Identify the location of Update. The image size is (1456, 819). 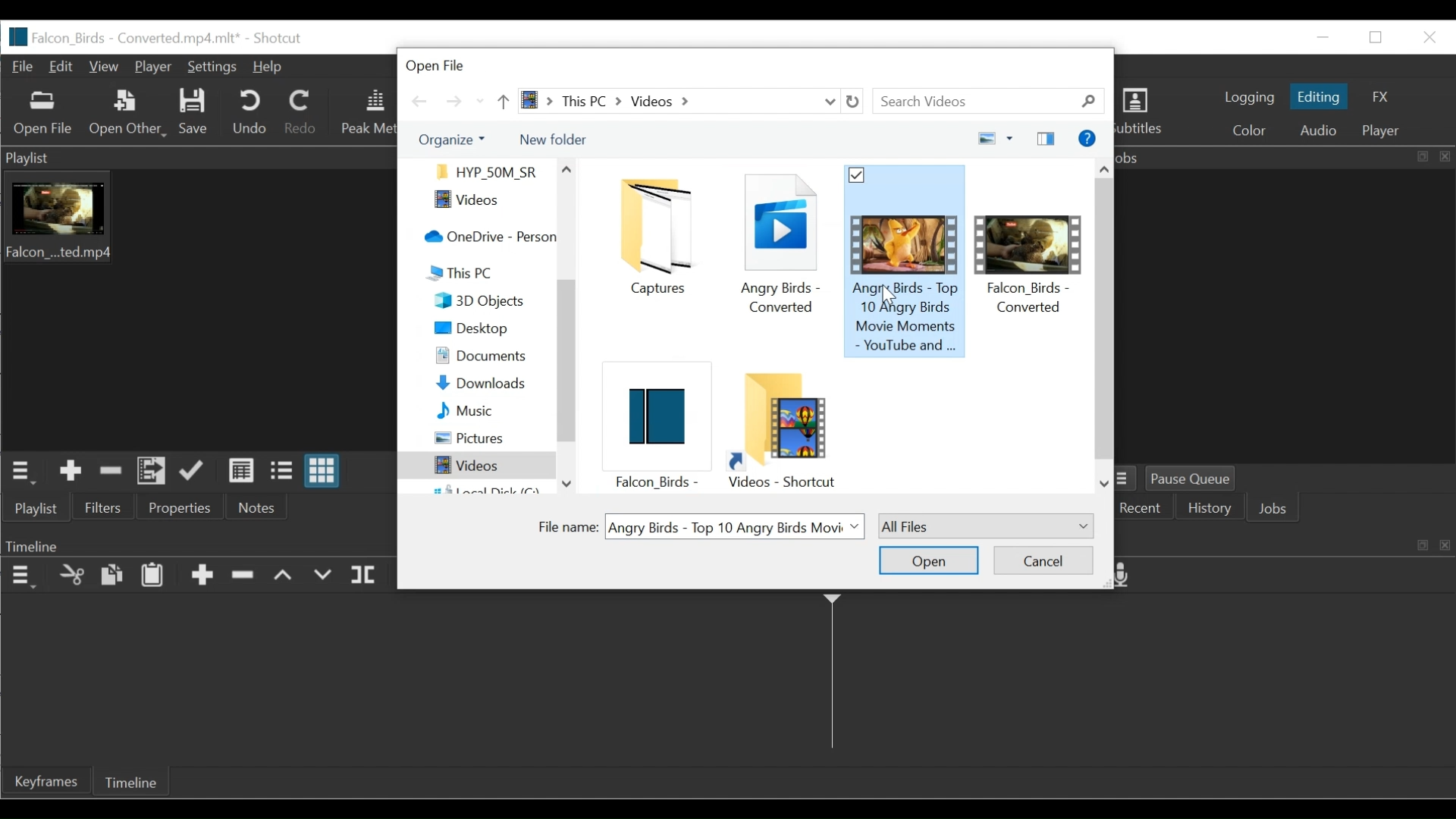
(196, 472).